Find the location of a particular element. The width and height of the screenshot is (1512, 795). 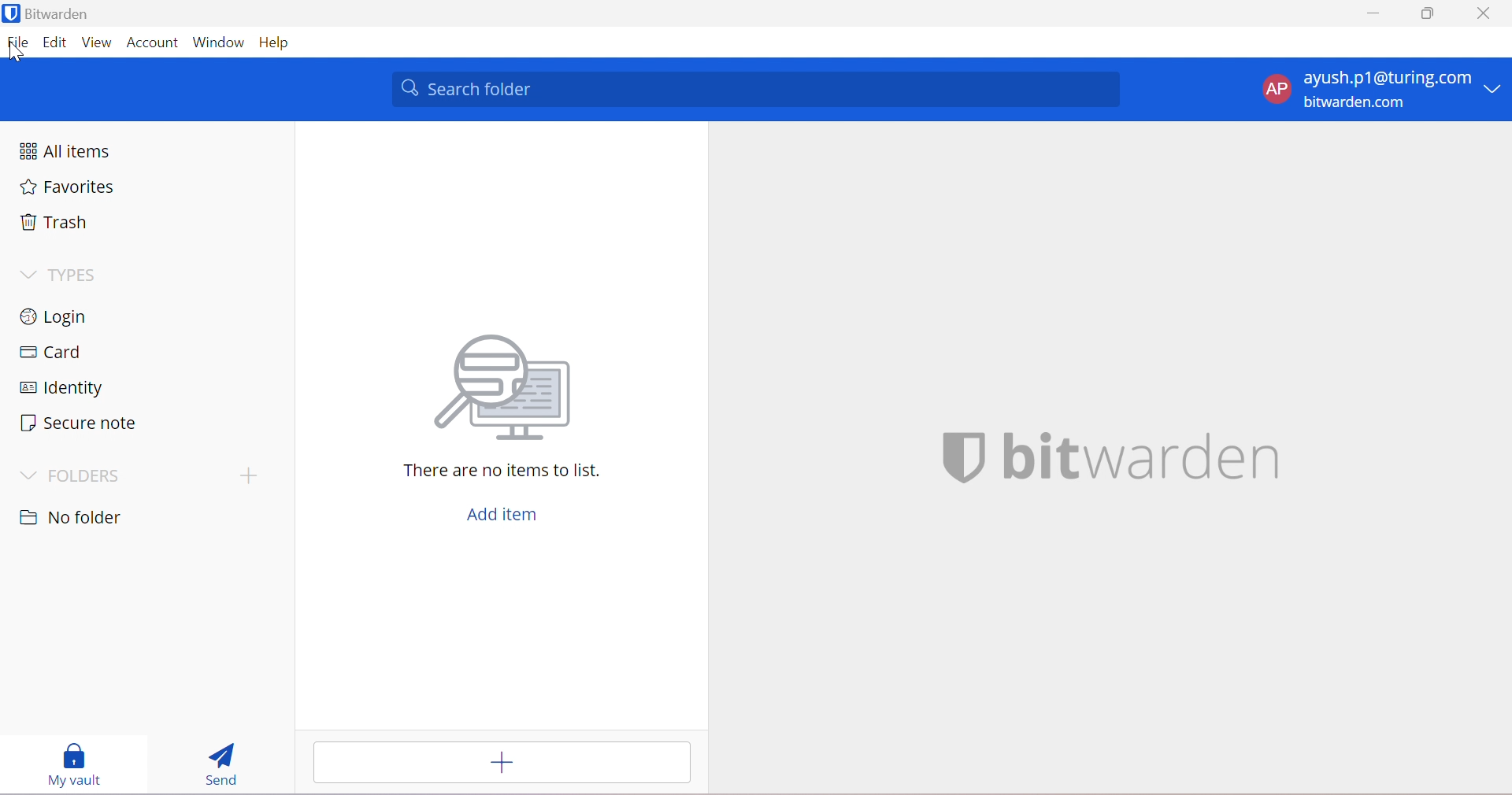

Send is located at coordinates (220, 764).